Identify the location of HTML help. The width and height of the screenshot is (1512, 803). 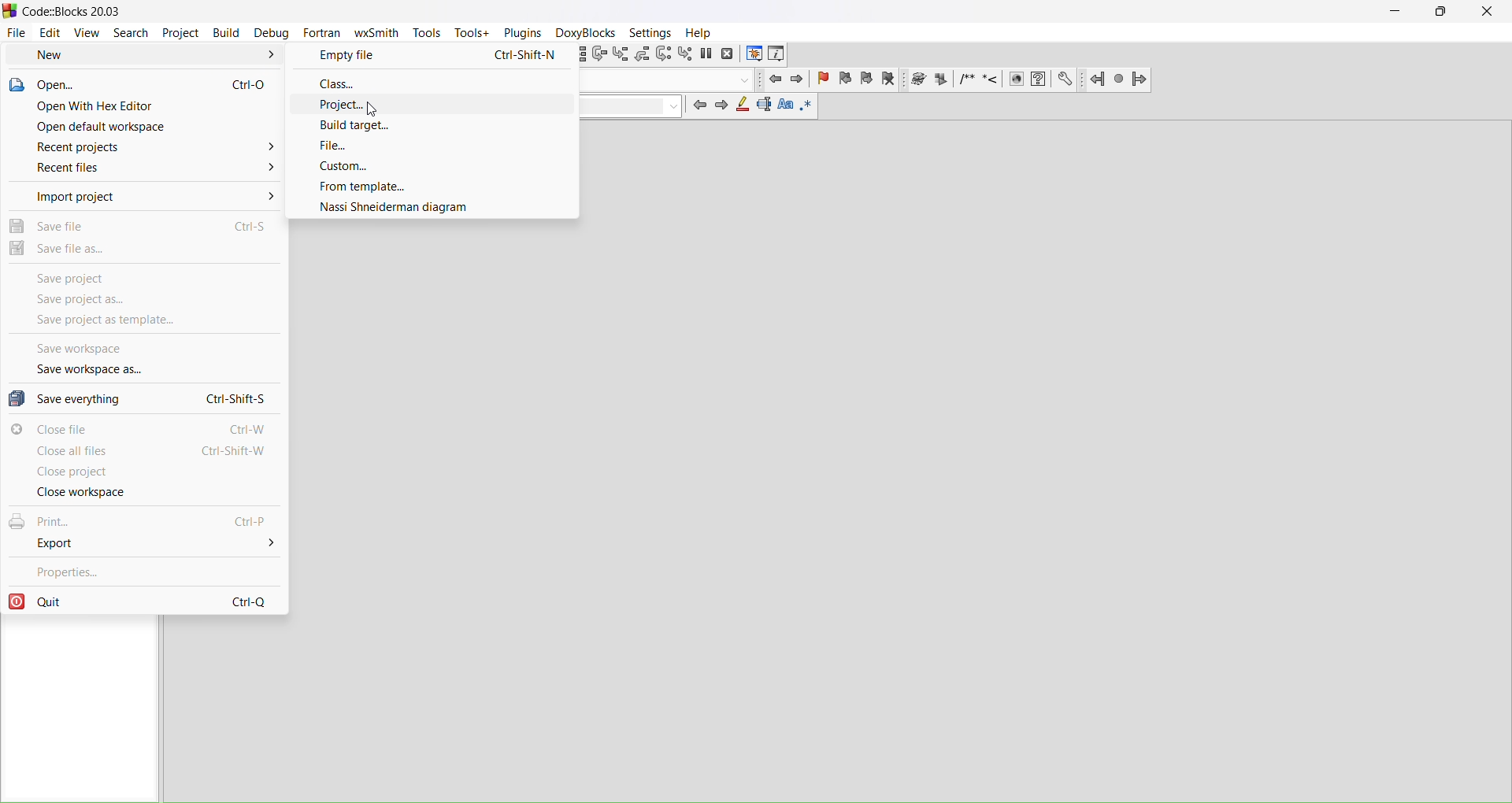
(1039, 80).